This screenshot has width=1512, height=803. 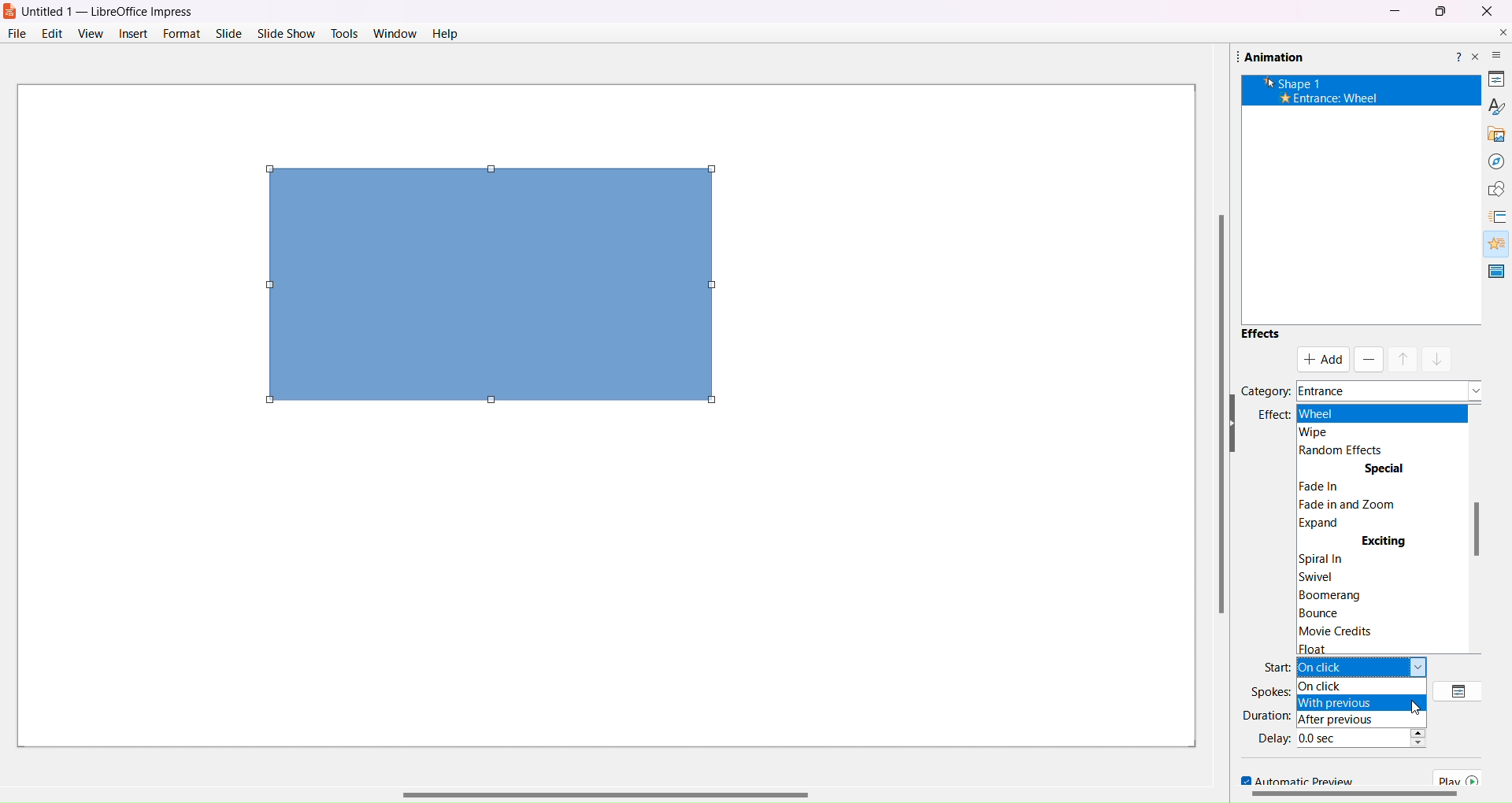 What do you see at coordinates (1383, 531) in the screenshot?
I see `t
Wipe
Random Effects
Special
Fade In
Fade in and Zoom
Expand
Exciting
Spiral In
Swivel
Boomerang
Bounce
Movie Credits
A]` at bounding box center [1383, 531].